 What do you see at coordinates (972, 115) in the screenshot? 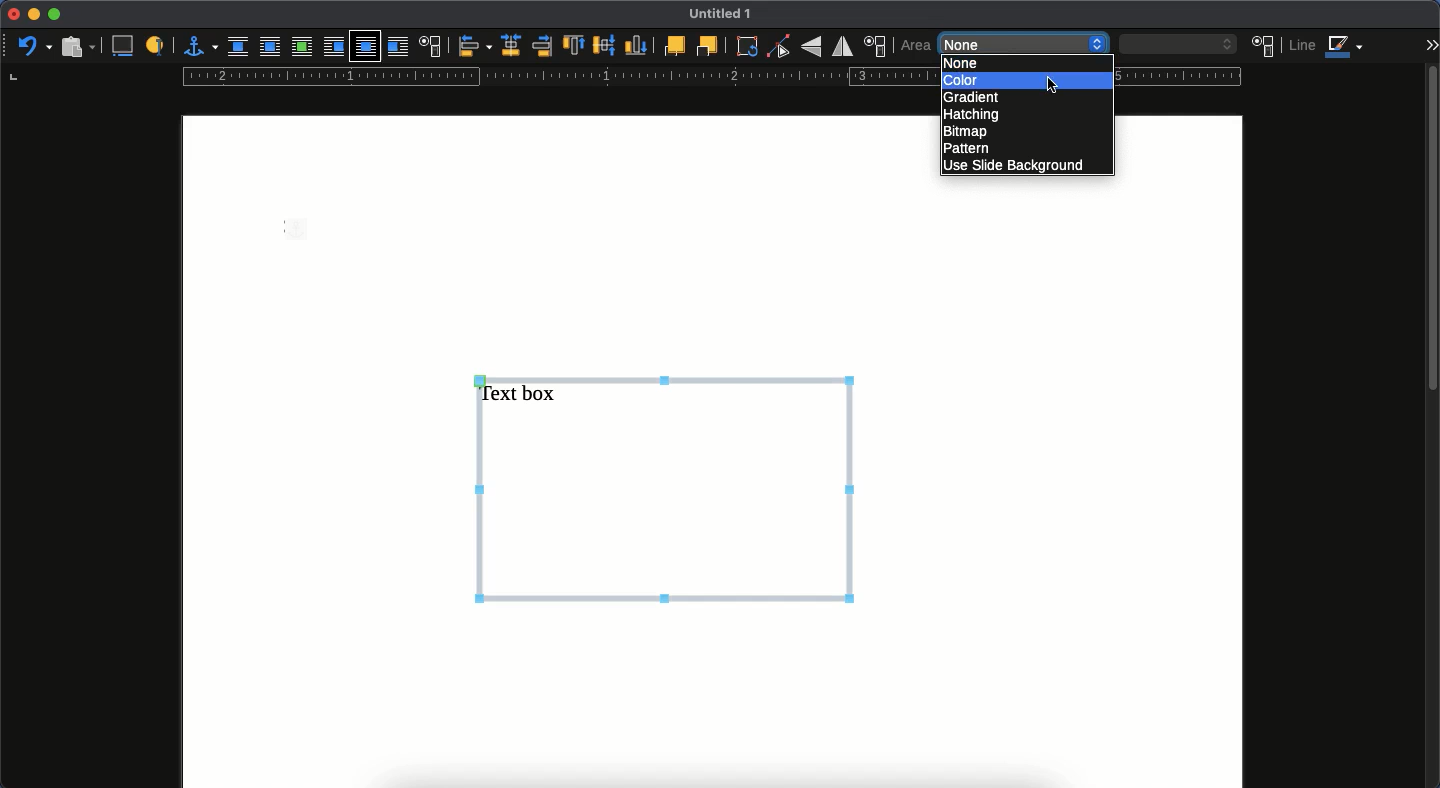
I see `hatching` at bounding box center [972, 115].